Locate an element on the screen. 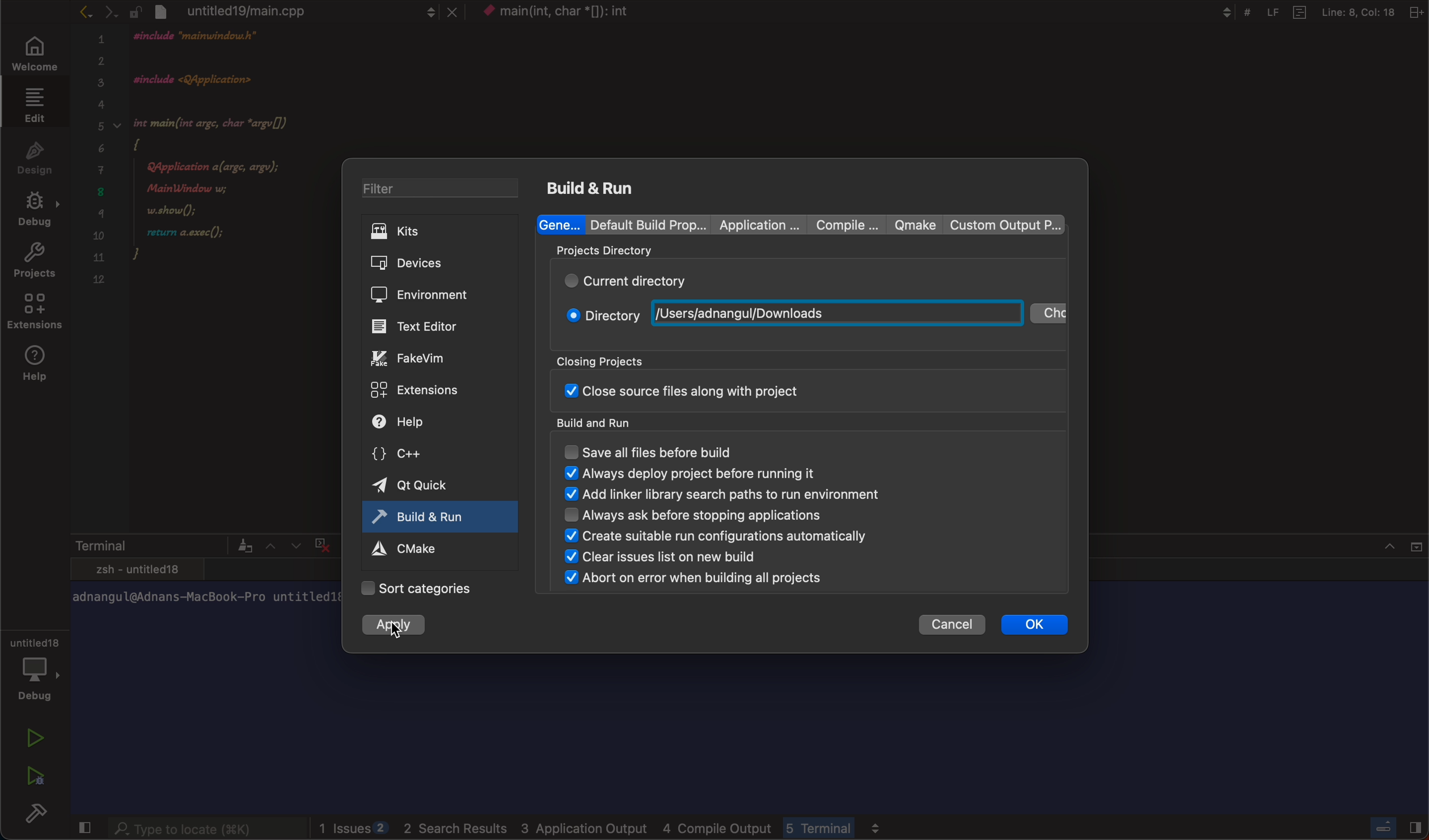 The height and width of the screenshot is (840, 1429). projects directory is located at coordinates (603, 252).